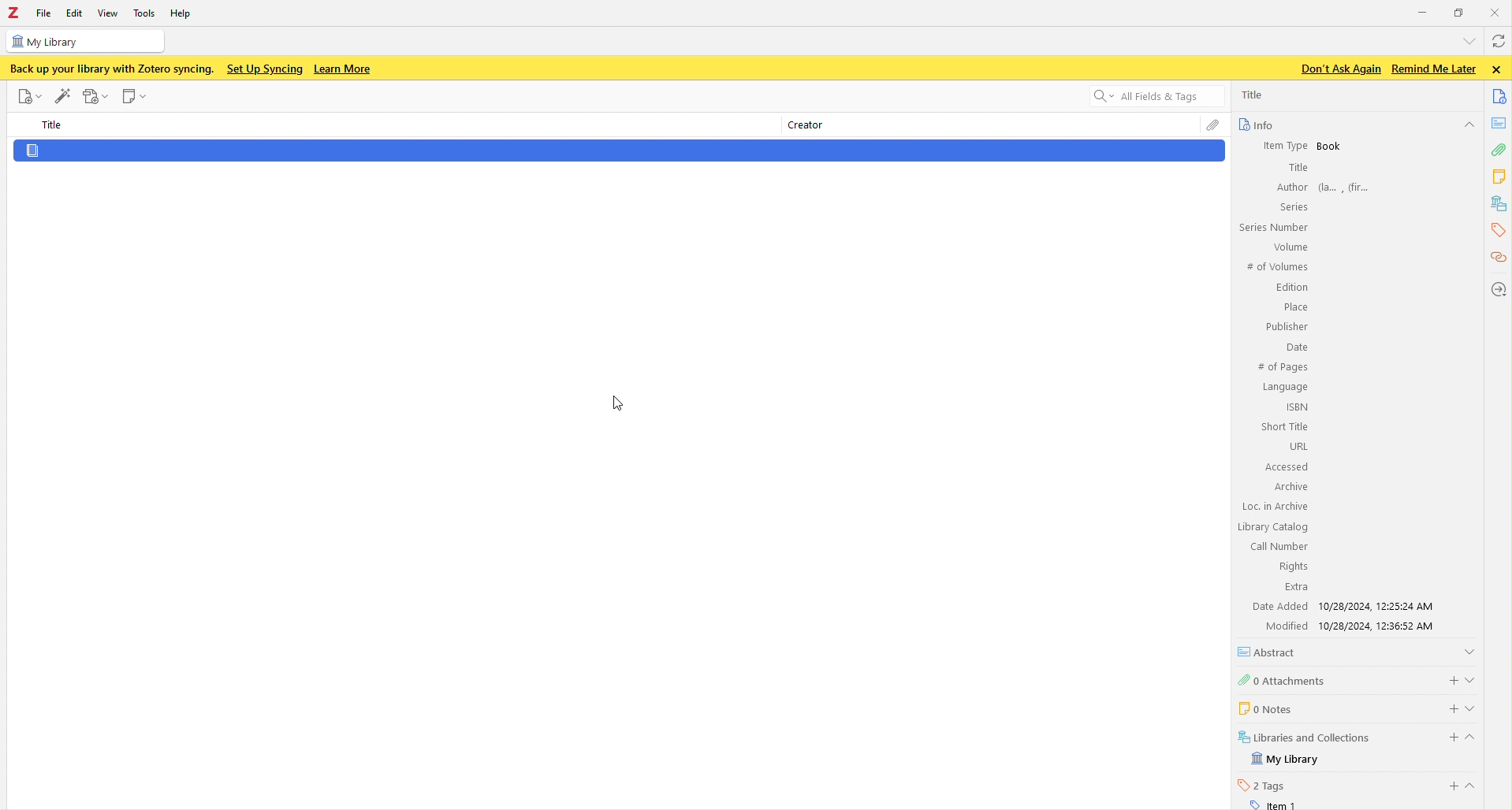 This screenshot has width=1512, height=810. Describe the element at coordinates (1147, 98) in the screenshot. I see `All fields and tags` at that location.